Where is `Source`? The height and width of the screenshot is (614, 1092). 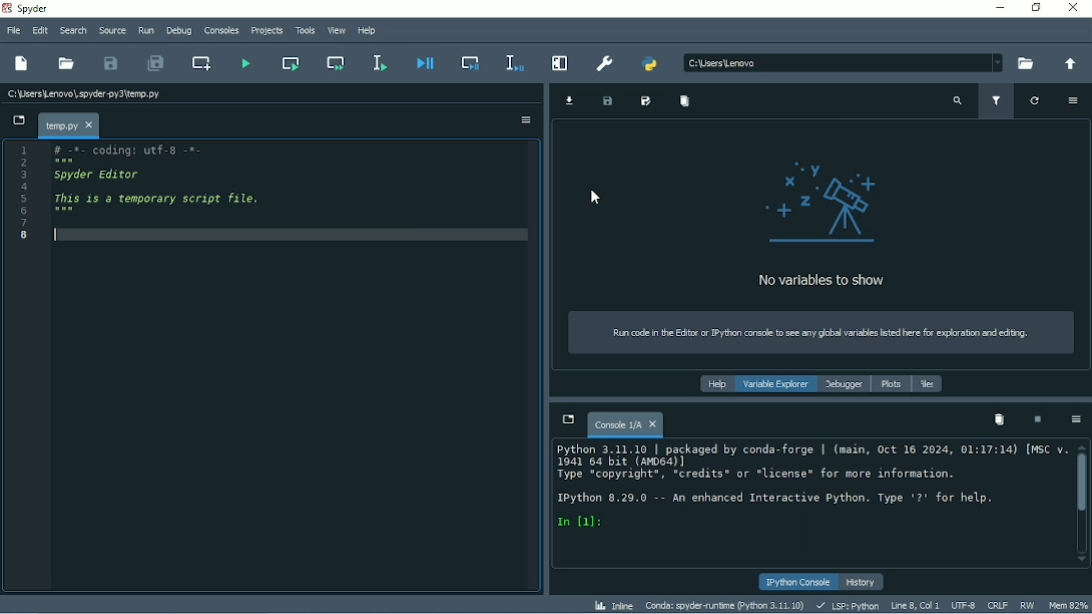 Source is located at coordinates (112, 30).